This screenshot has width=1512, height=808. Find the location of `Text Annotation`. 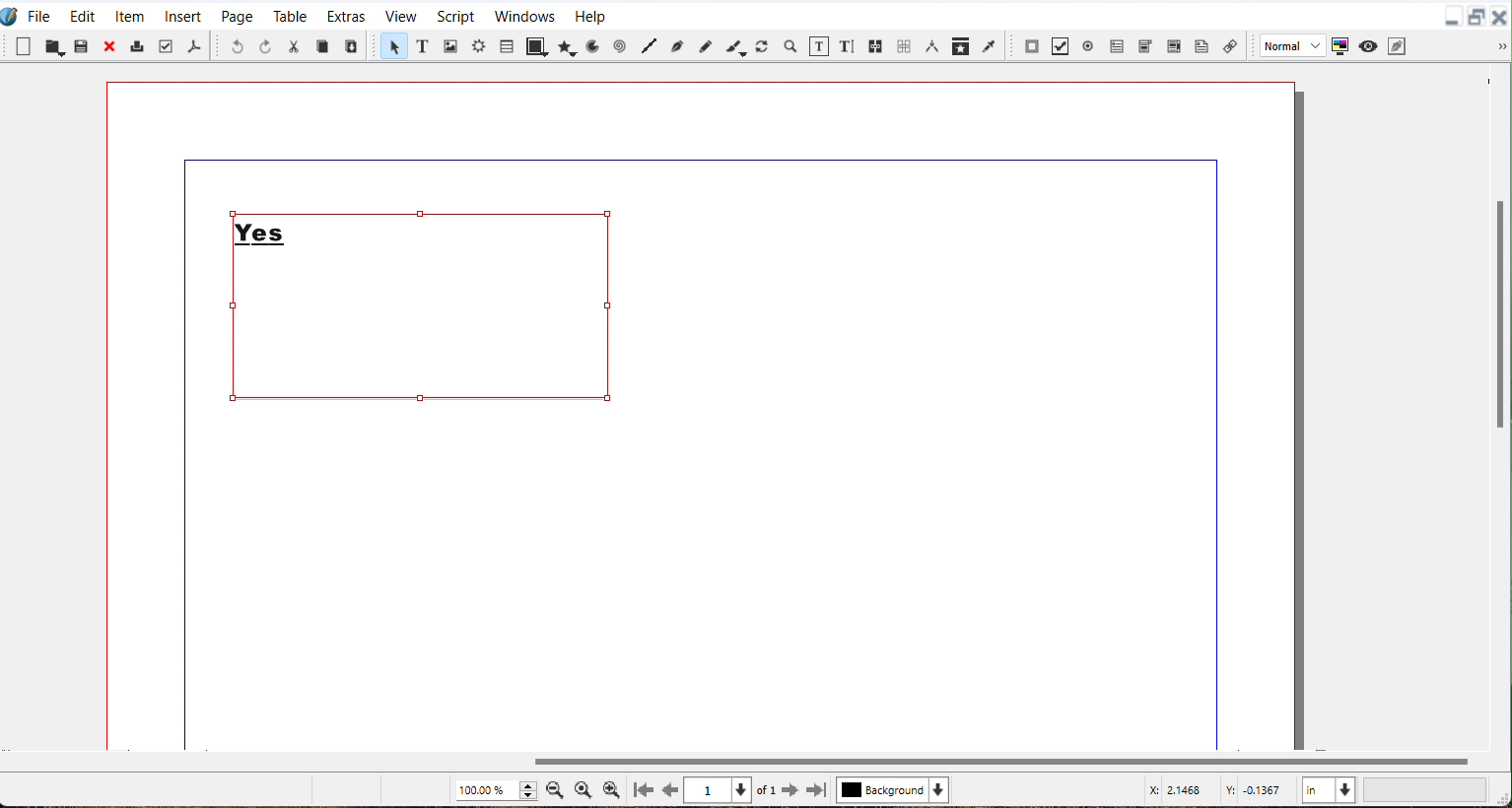

Text Annotation is located at coordinates (1203, 45).